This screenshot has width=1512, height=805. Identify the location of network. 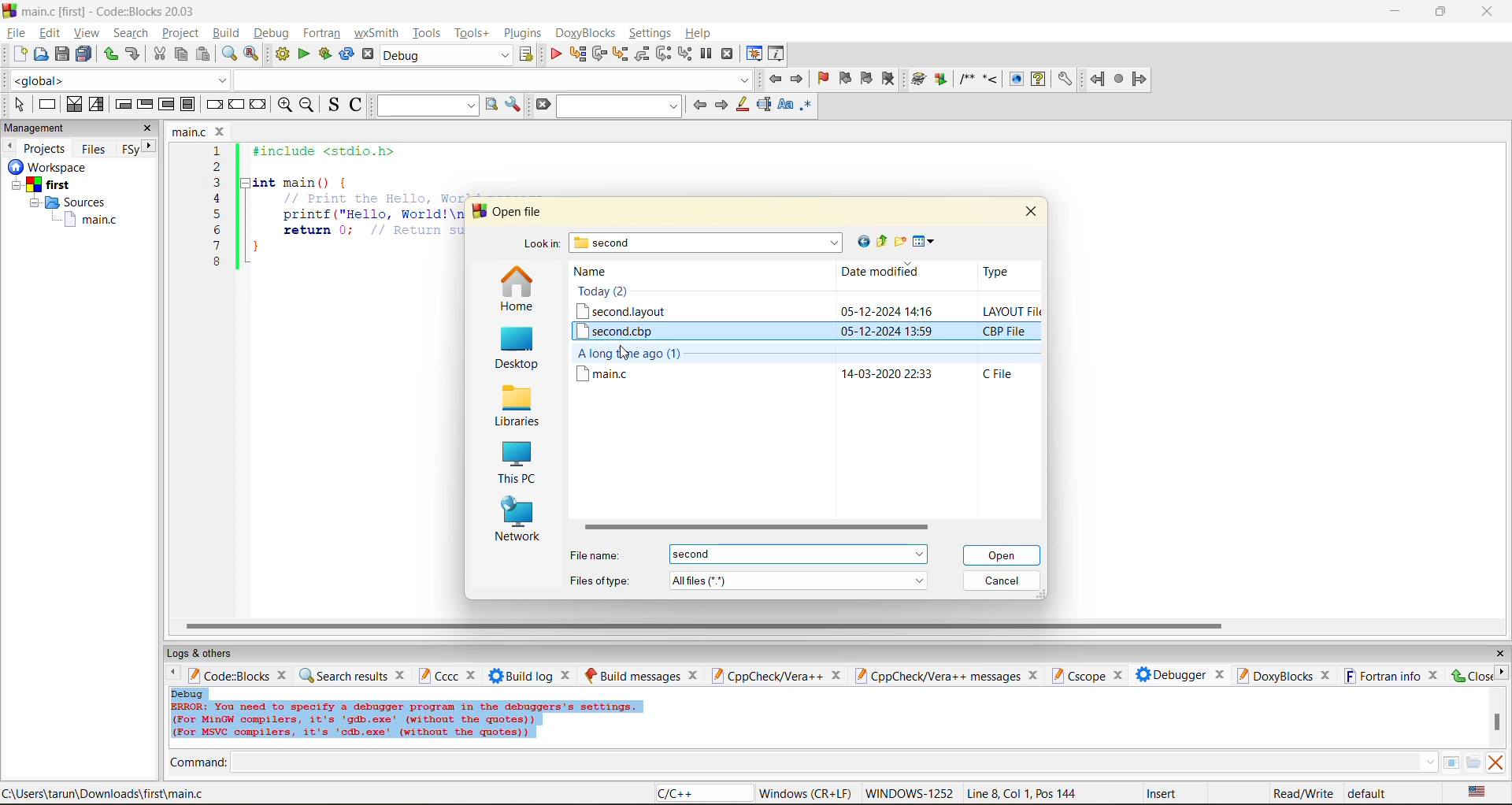
(518, 521).